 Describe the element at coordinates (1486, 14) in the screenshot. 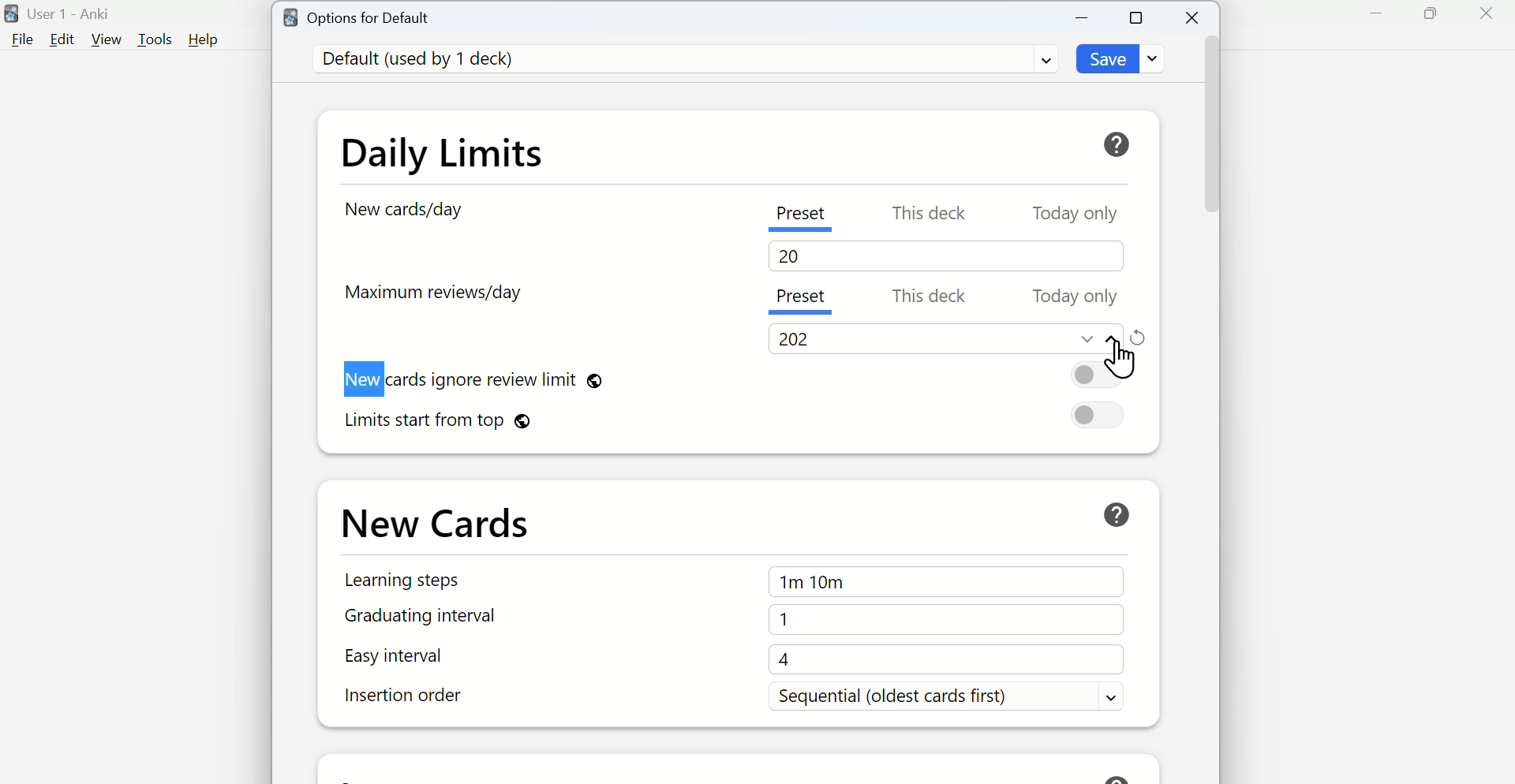

I see `Close` at that location.